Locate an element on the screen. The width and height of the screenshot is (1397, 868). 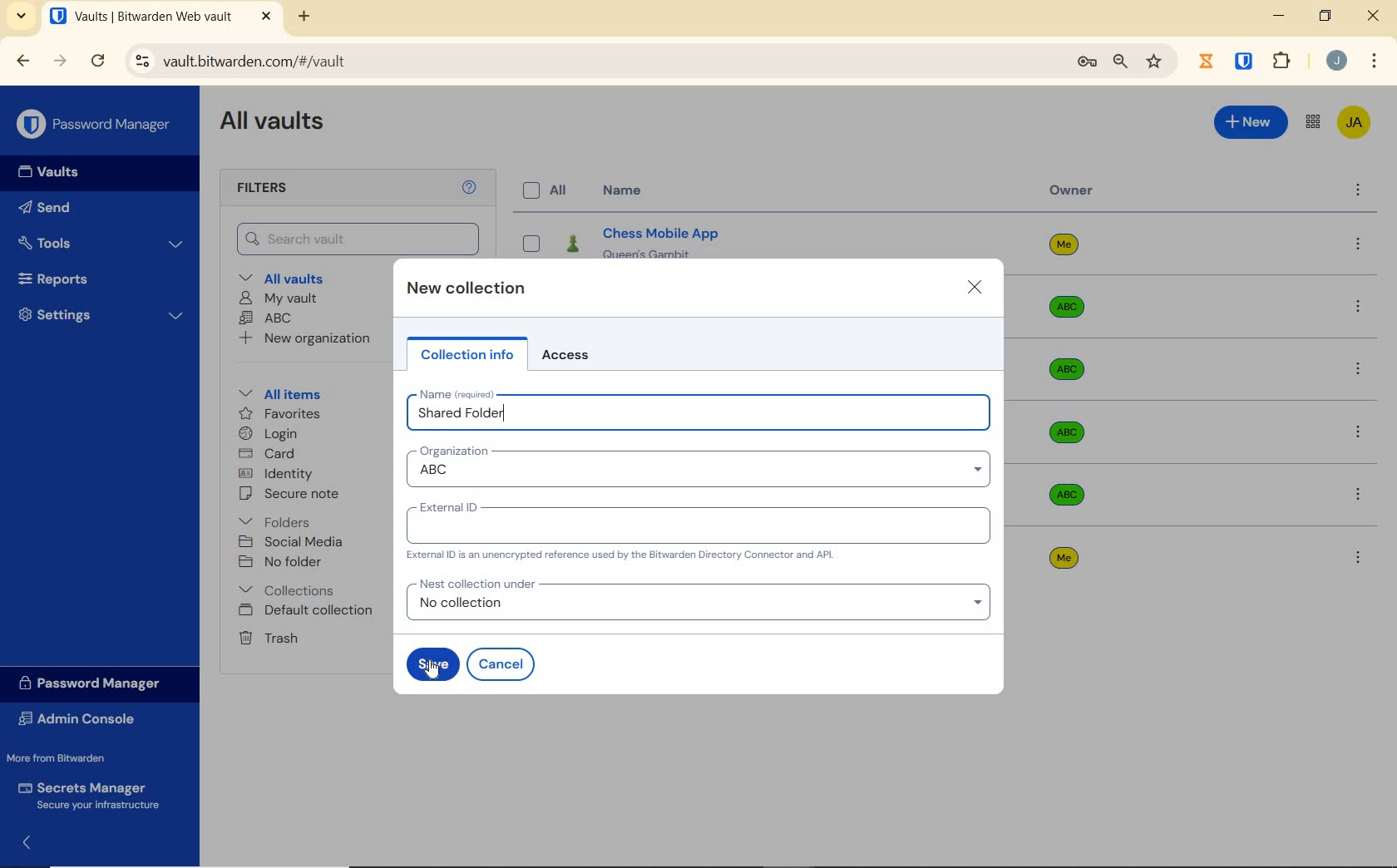
nest collection under is located at coordinates (476, 584).